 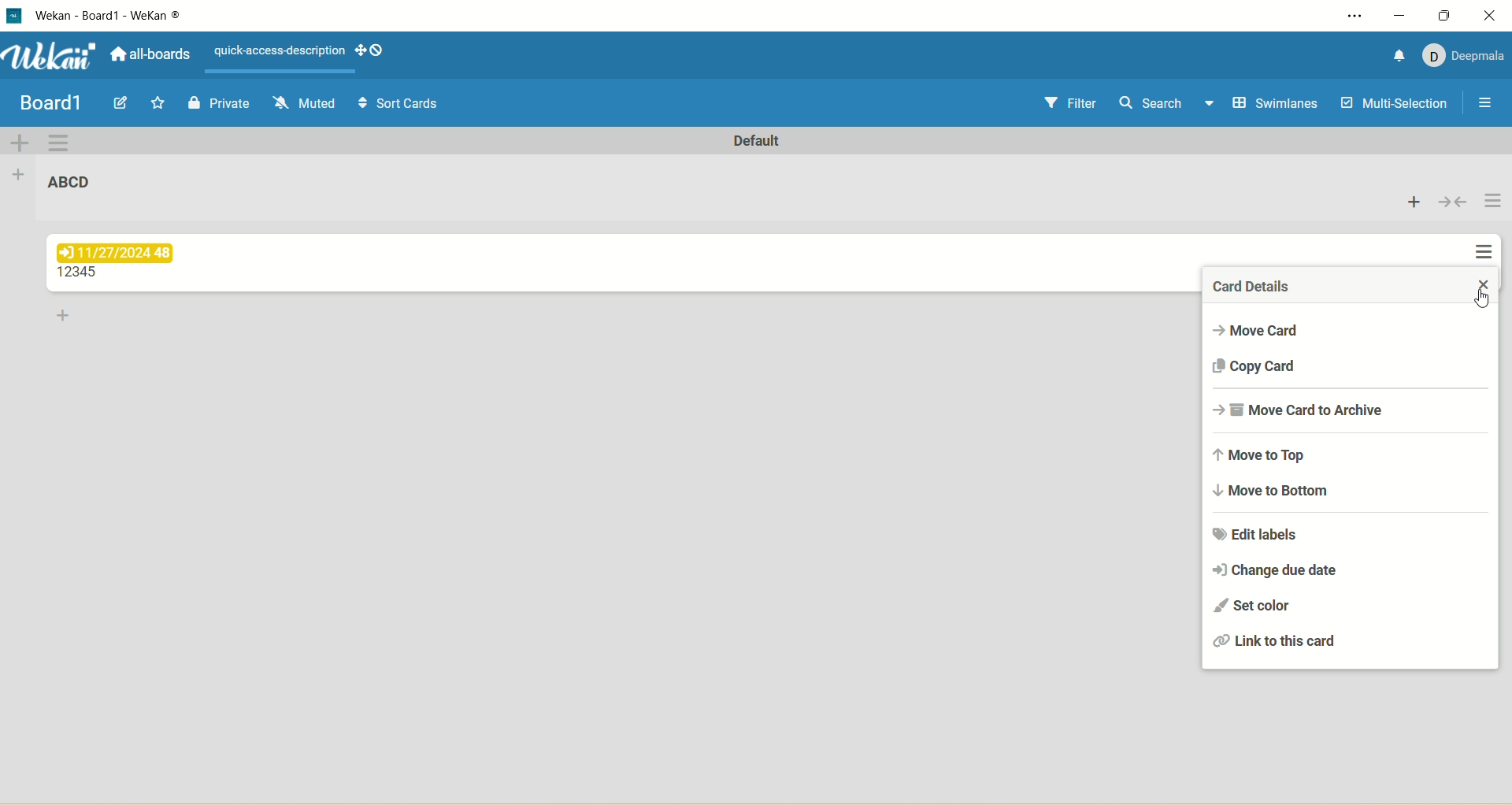 What do you see at coordinates (55, 57) in the screenshot?
I see `wekan` at bounding box center [55, 57].